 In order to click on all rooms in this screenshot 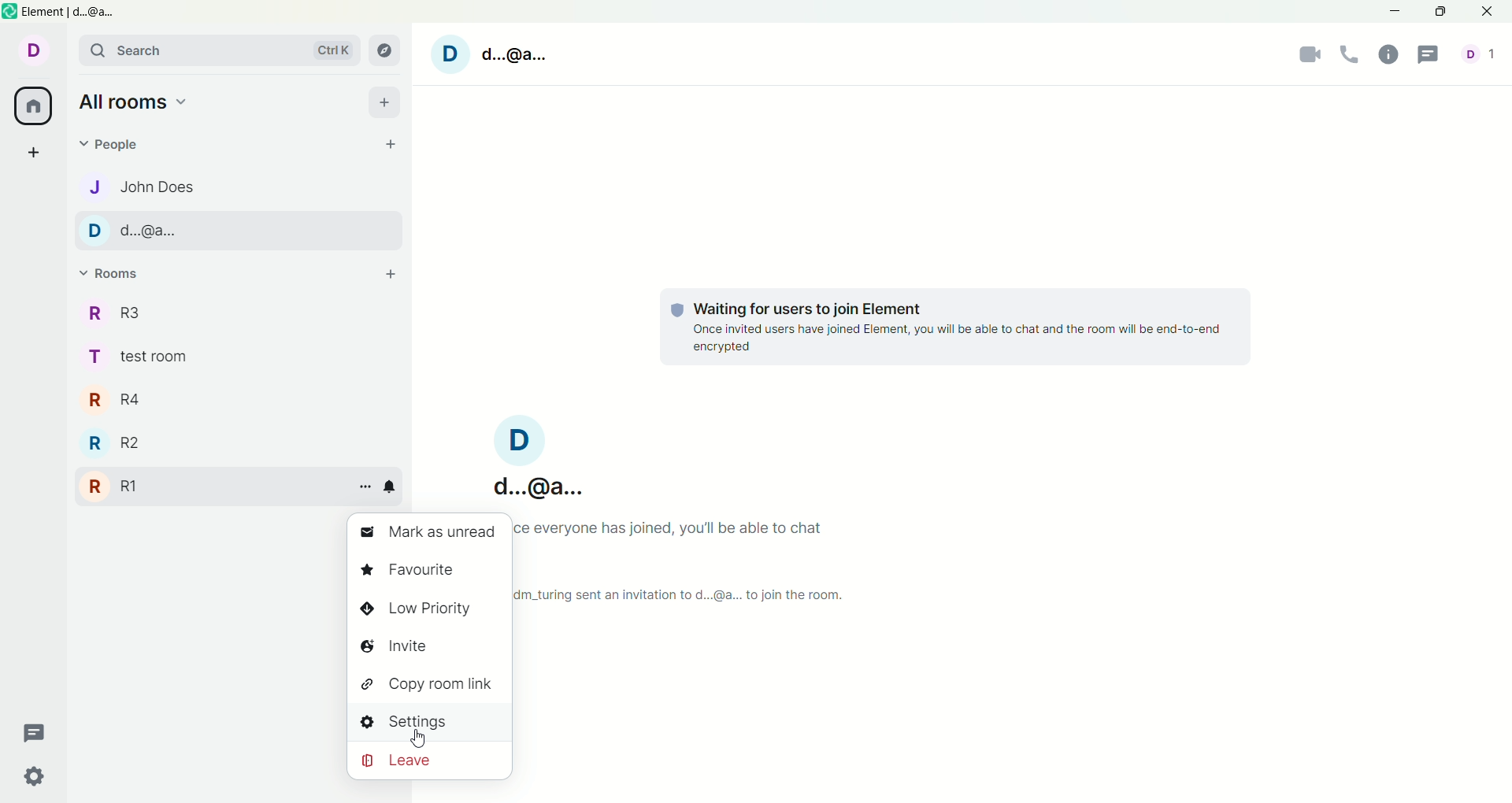, I will do `click(134, 104)`.